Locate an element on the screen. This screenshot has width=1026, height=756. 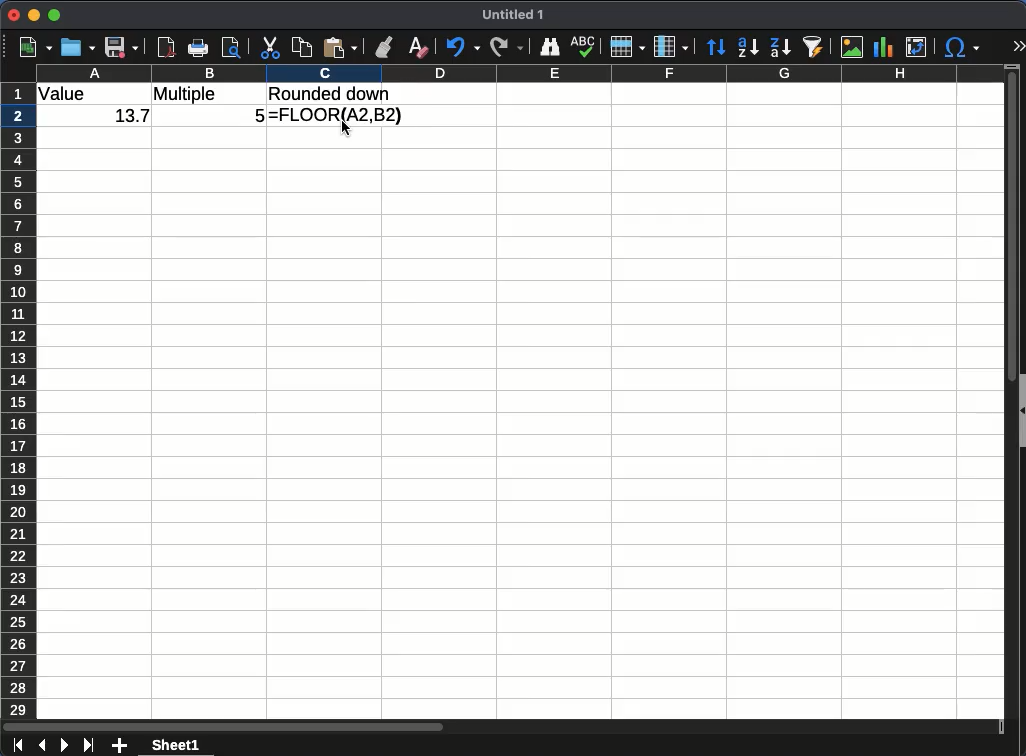
paste is located at coordinates (342, 47).